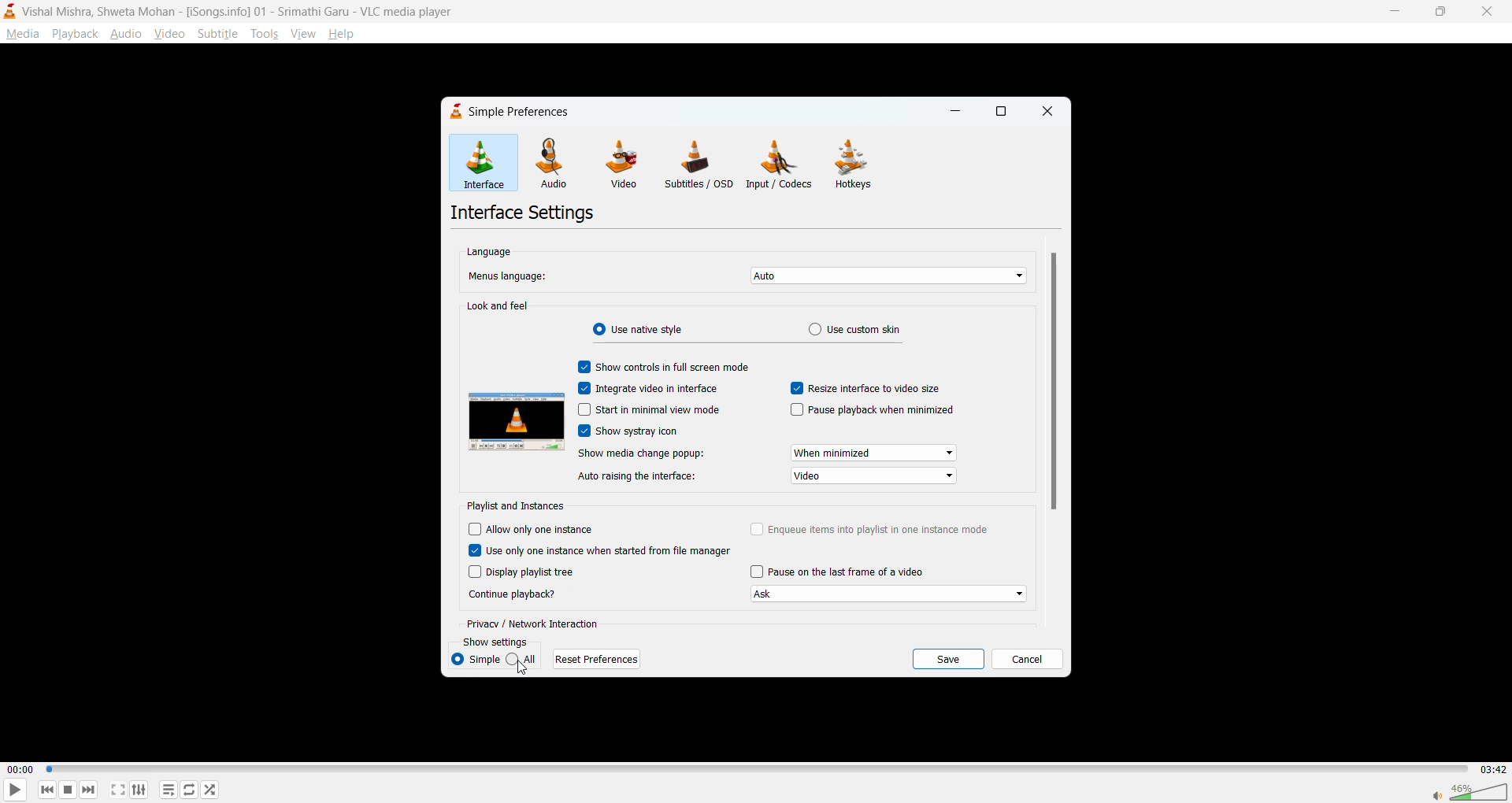 The image size is (1512, 803). What do you see at coordinates (535, 624) in the screenshot?
I see `privacy/network interaction` at bounding box center [535, 624].